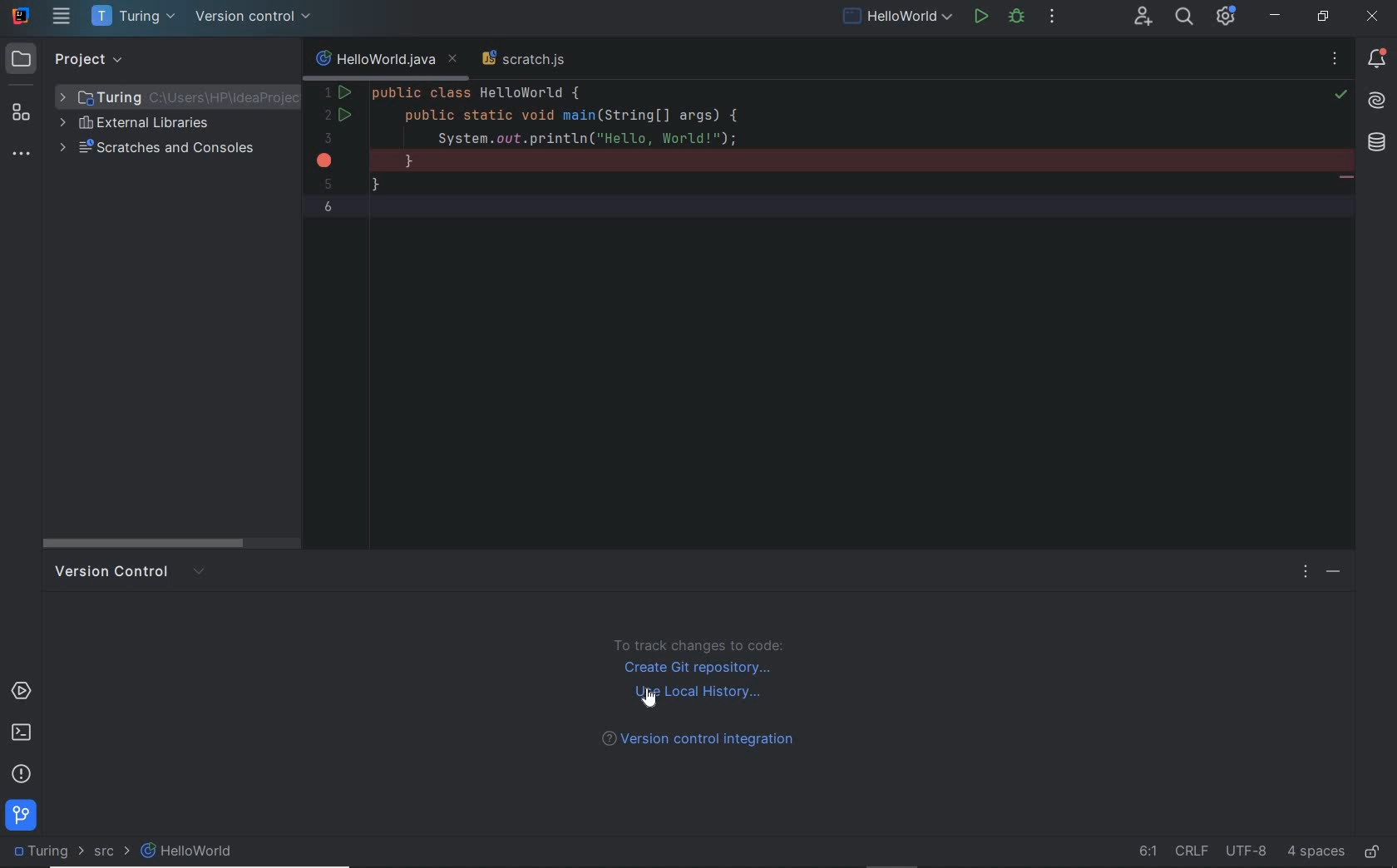 Image resolution: width=1397 pixels, height=868 pixels. What do you see at coordinates (160, 148) in the screenshot?
I see `scratches and consoles` at bounding box center [160, 148].